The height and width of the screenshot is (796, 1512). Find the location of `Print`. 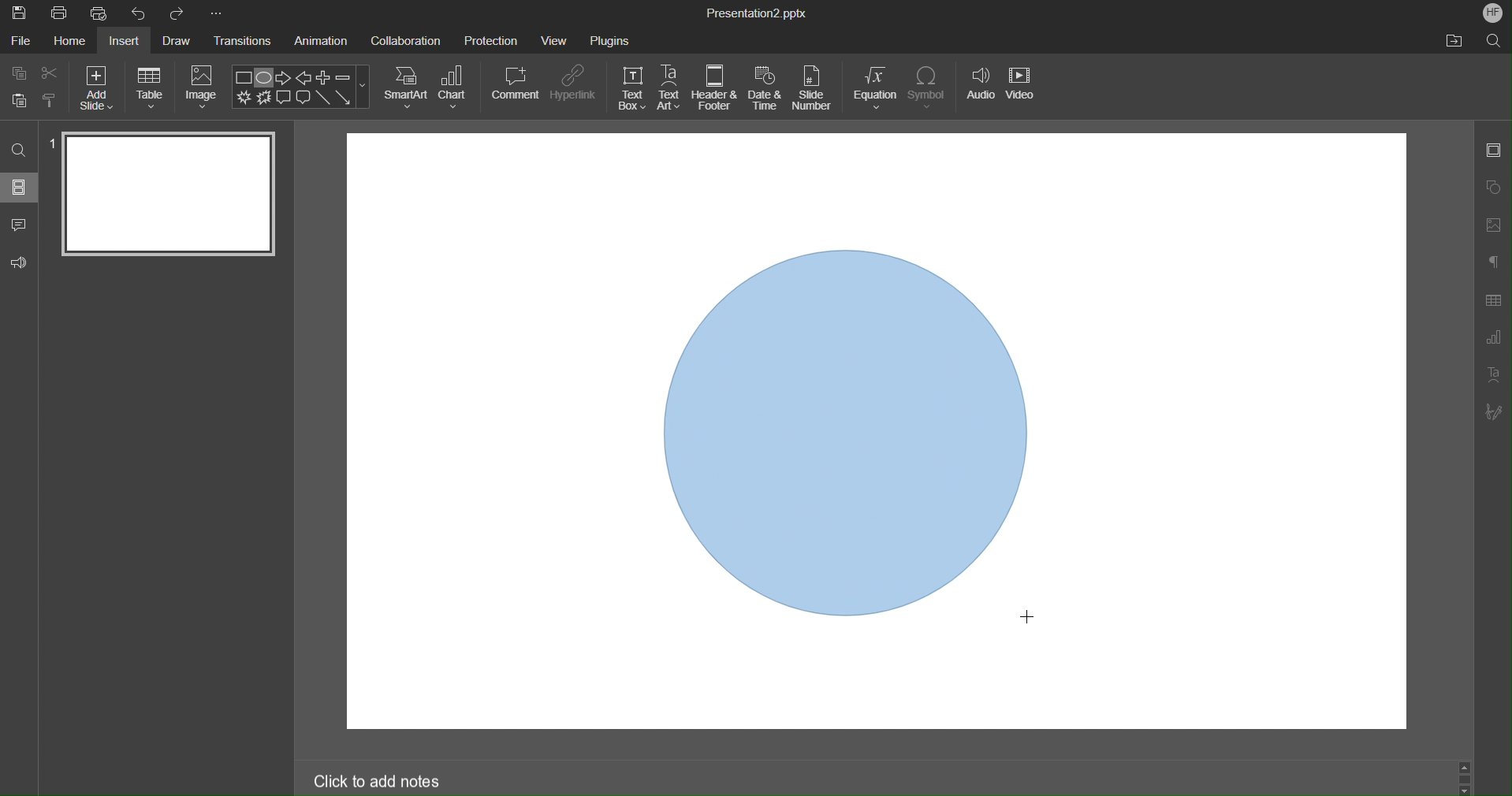

Print is located at coordinates (59, 14).